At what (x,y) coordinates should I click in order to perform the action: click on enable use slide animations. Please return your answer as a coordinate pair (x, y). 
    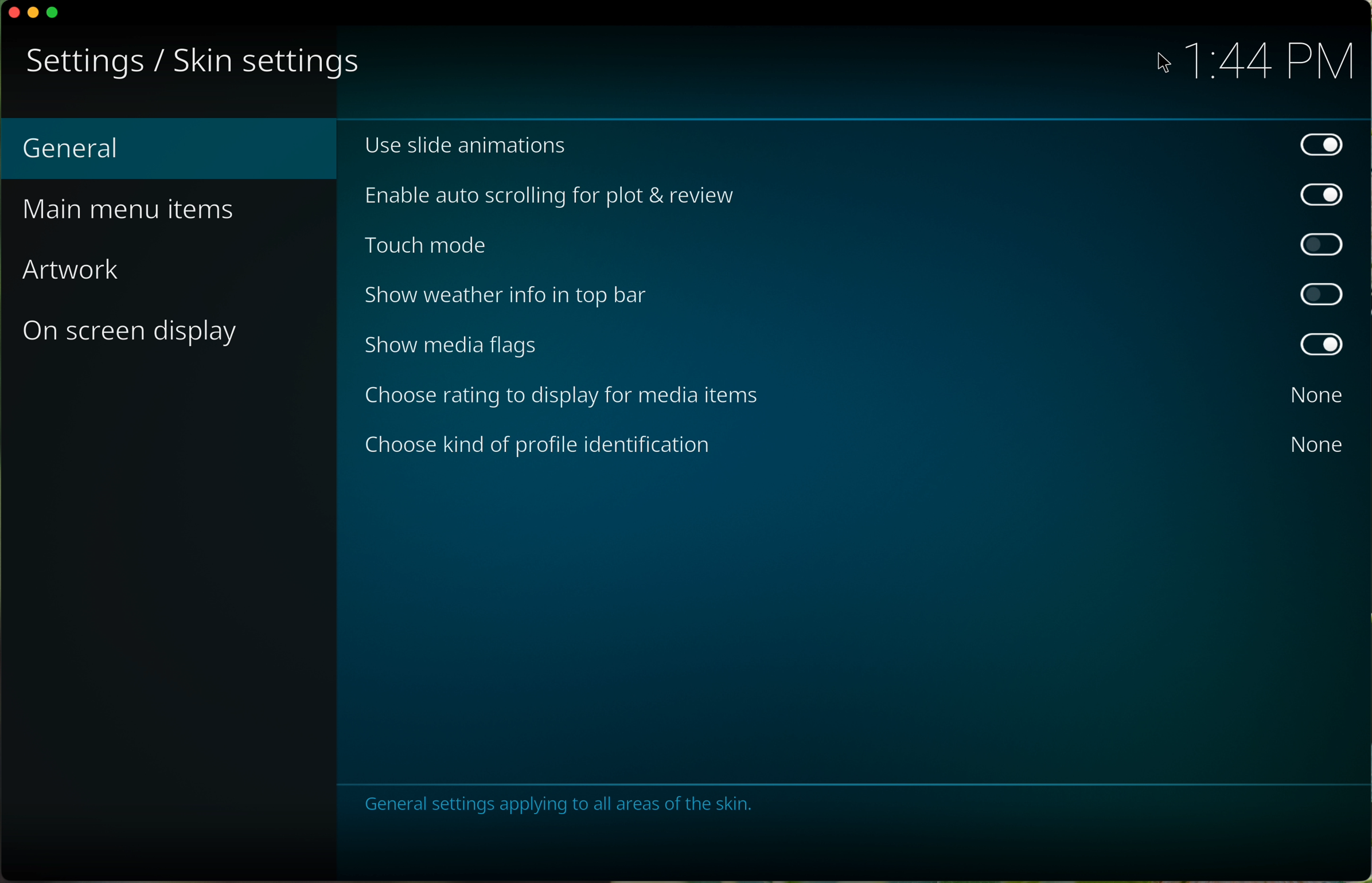
    Looking at the image, I should click on (853, 145).